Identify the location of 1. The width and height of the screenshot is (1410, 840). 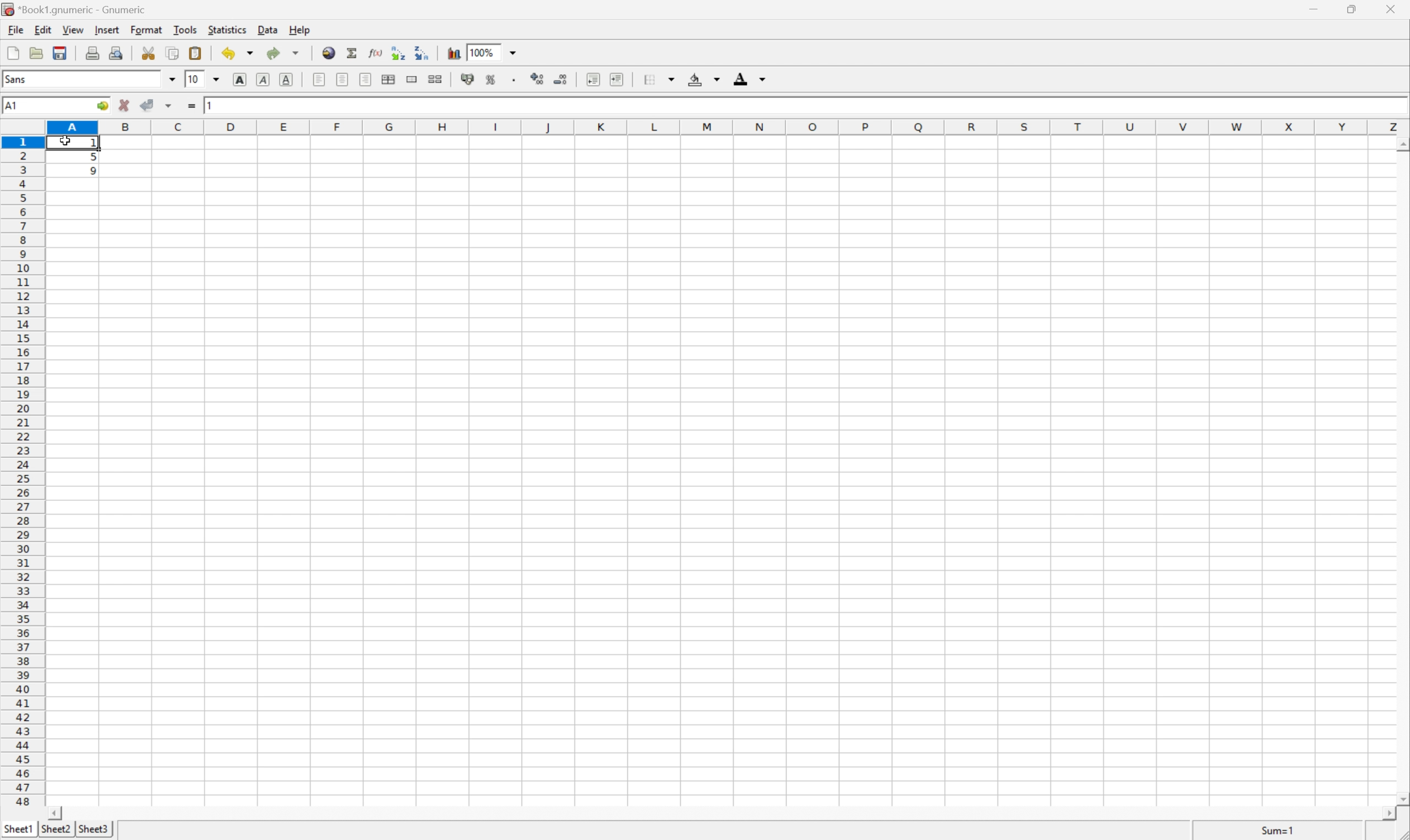
(212, 104).